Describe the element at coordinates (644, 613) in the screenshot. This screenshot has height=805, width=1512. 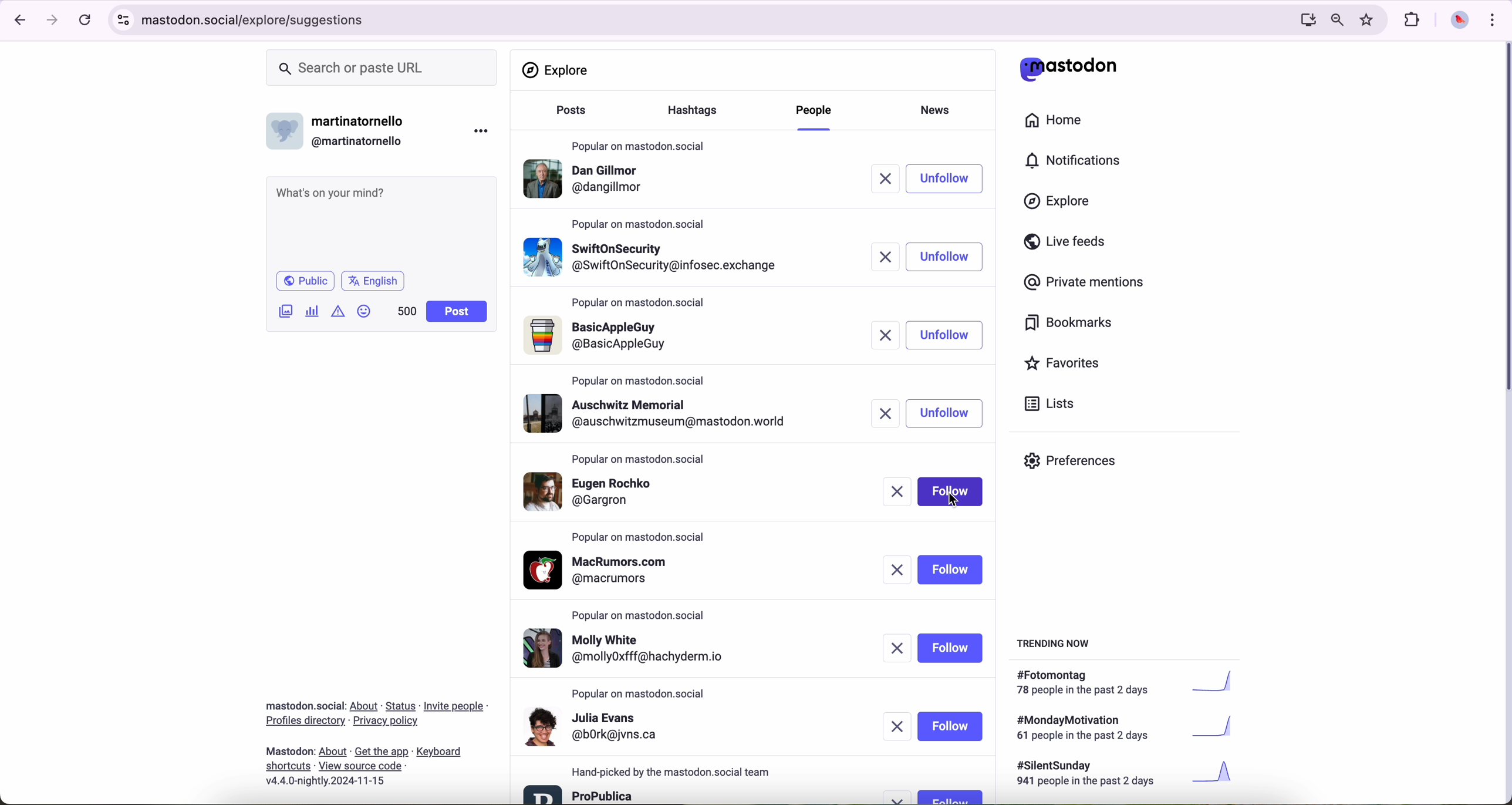
I see `popular on mastodon.social` at that location.